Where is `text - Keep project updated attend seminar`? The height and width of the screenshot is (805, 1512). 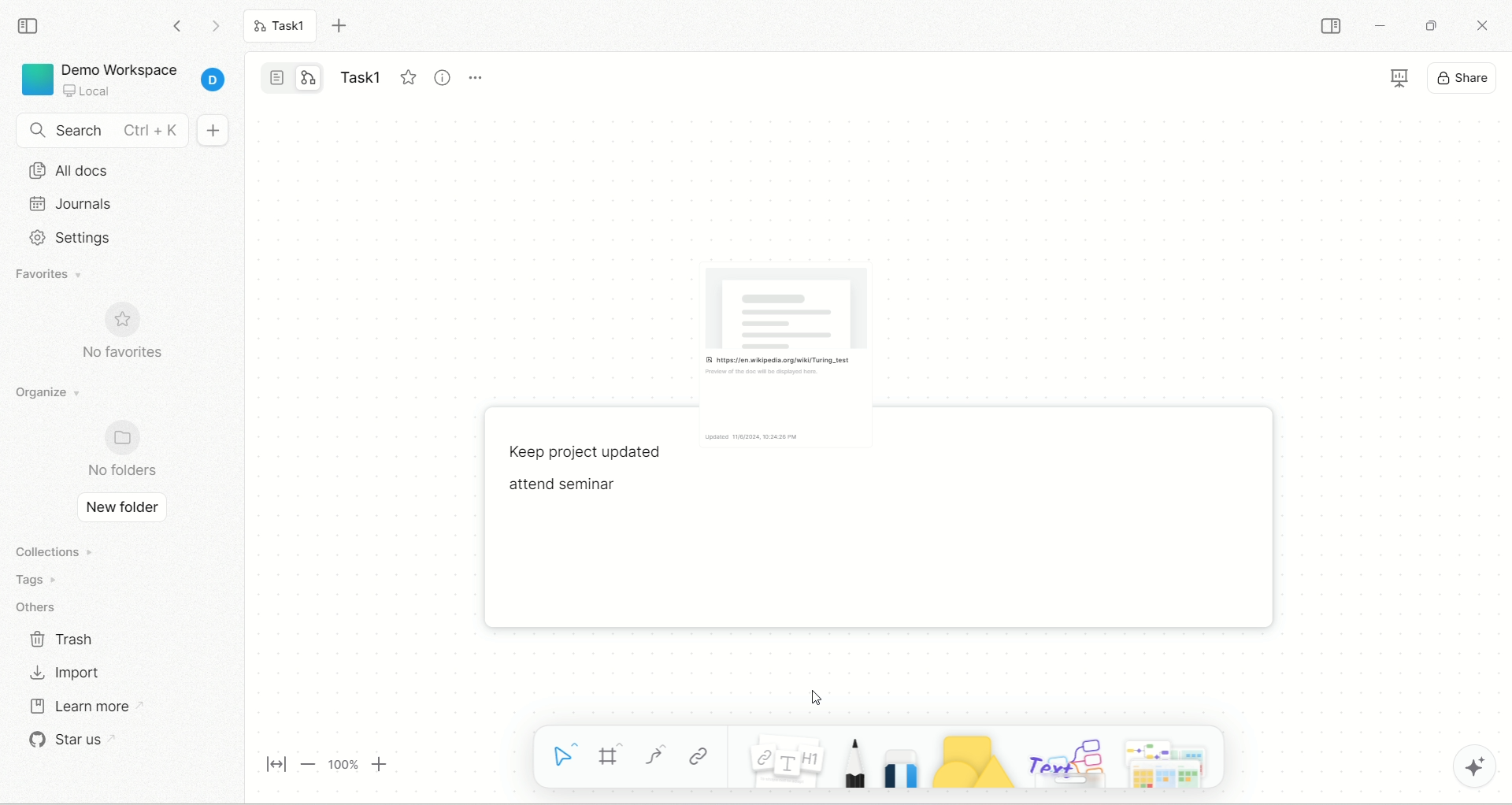
text - Keep project updated attend seminar is located at coordinates (587, 477).